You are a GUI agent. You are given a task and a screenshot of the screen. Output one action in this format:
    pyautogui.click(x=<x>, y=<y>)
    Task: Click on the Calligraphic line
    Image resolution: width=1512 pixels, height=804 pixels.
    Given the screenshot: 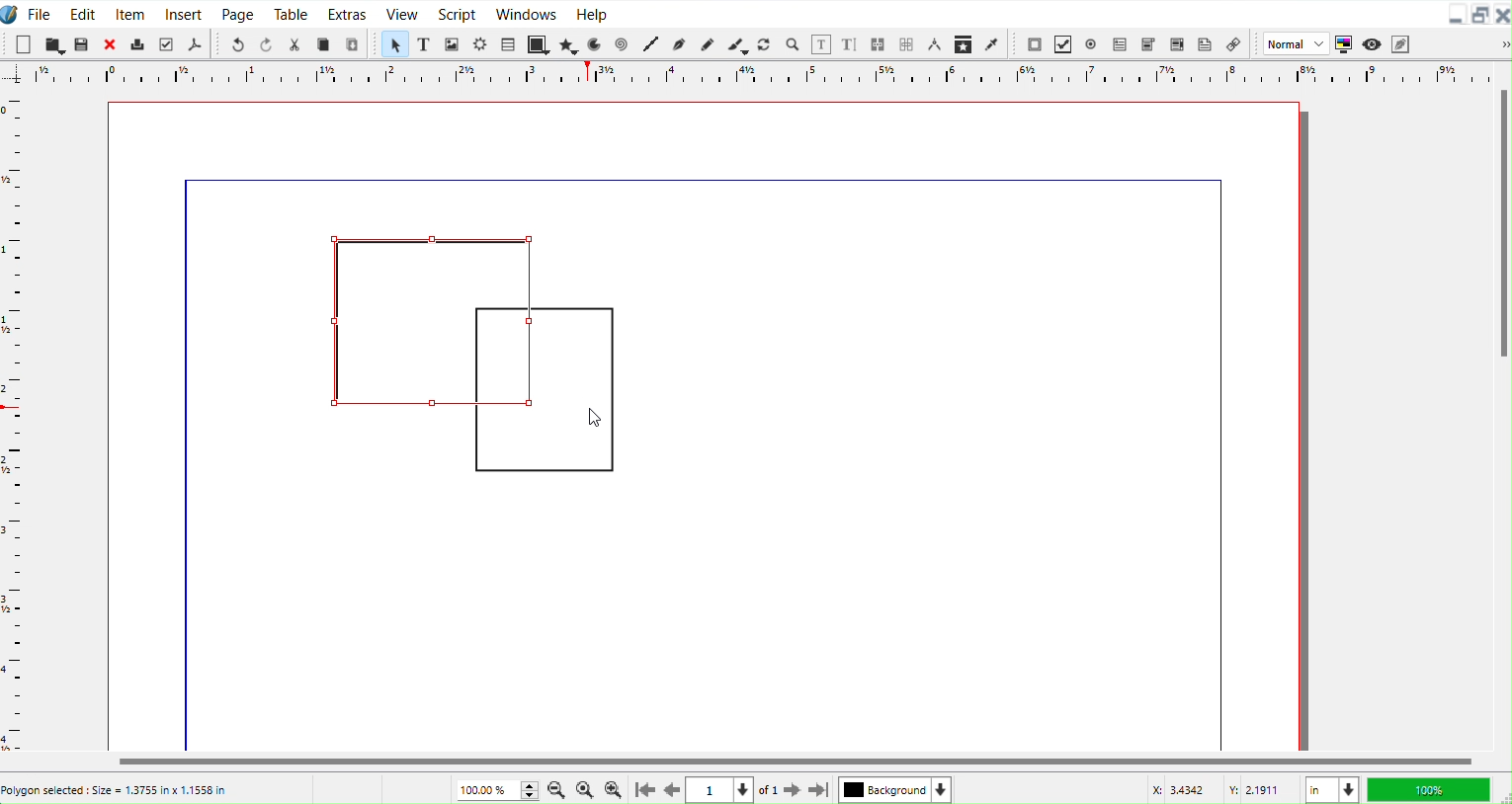 What is the action you would take?
    pyautogui.click(x=737, y=44)
    